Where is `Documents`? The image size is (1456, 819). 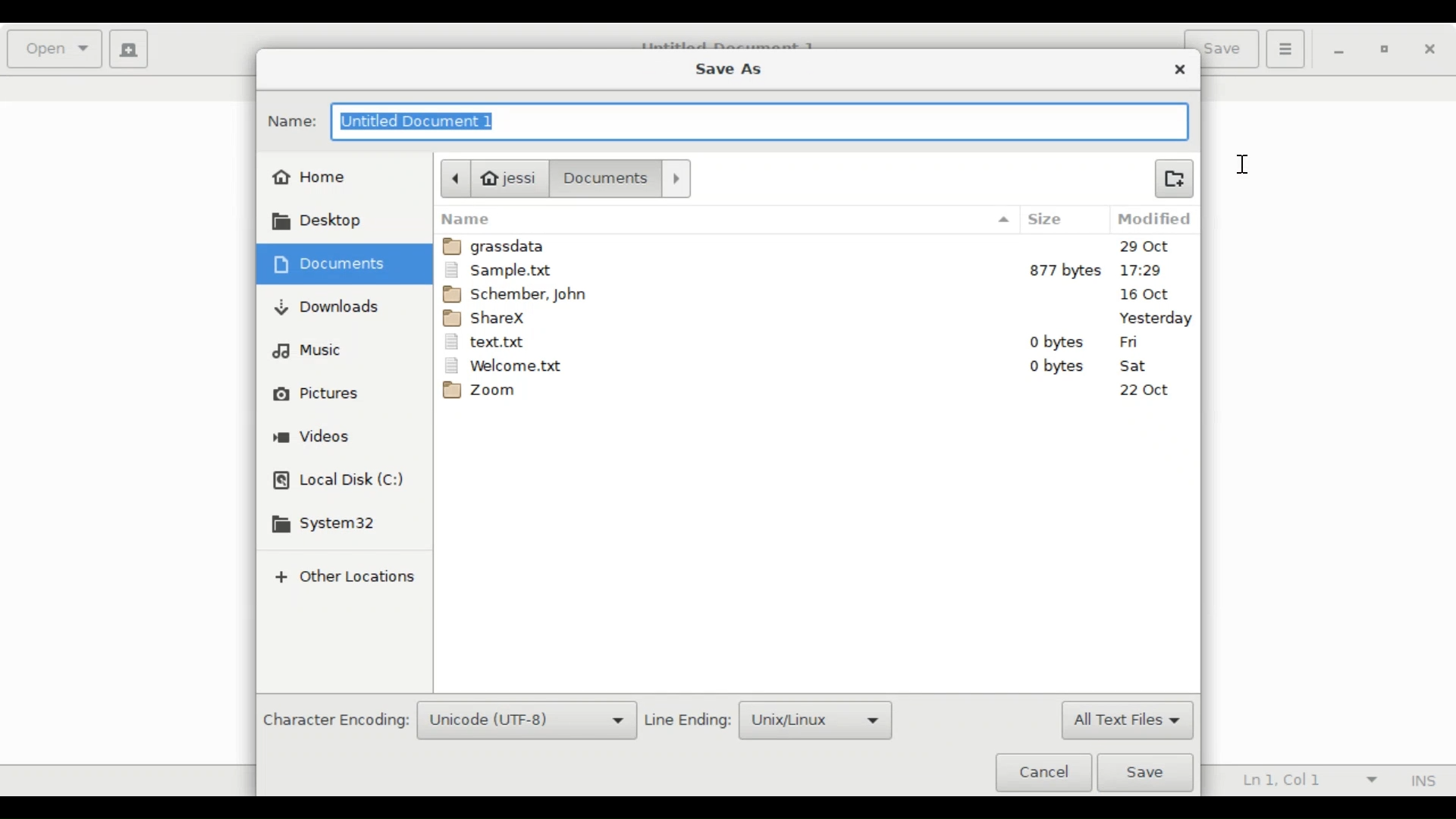
Documents is located at coordinates (624, 178).